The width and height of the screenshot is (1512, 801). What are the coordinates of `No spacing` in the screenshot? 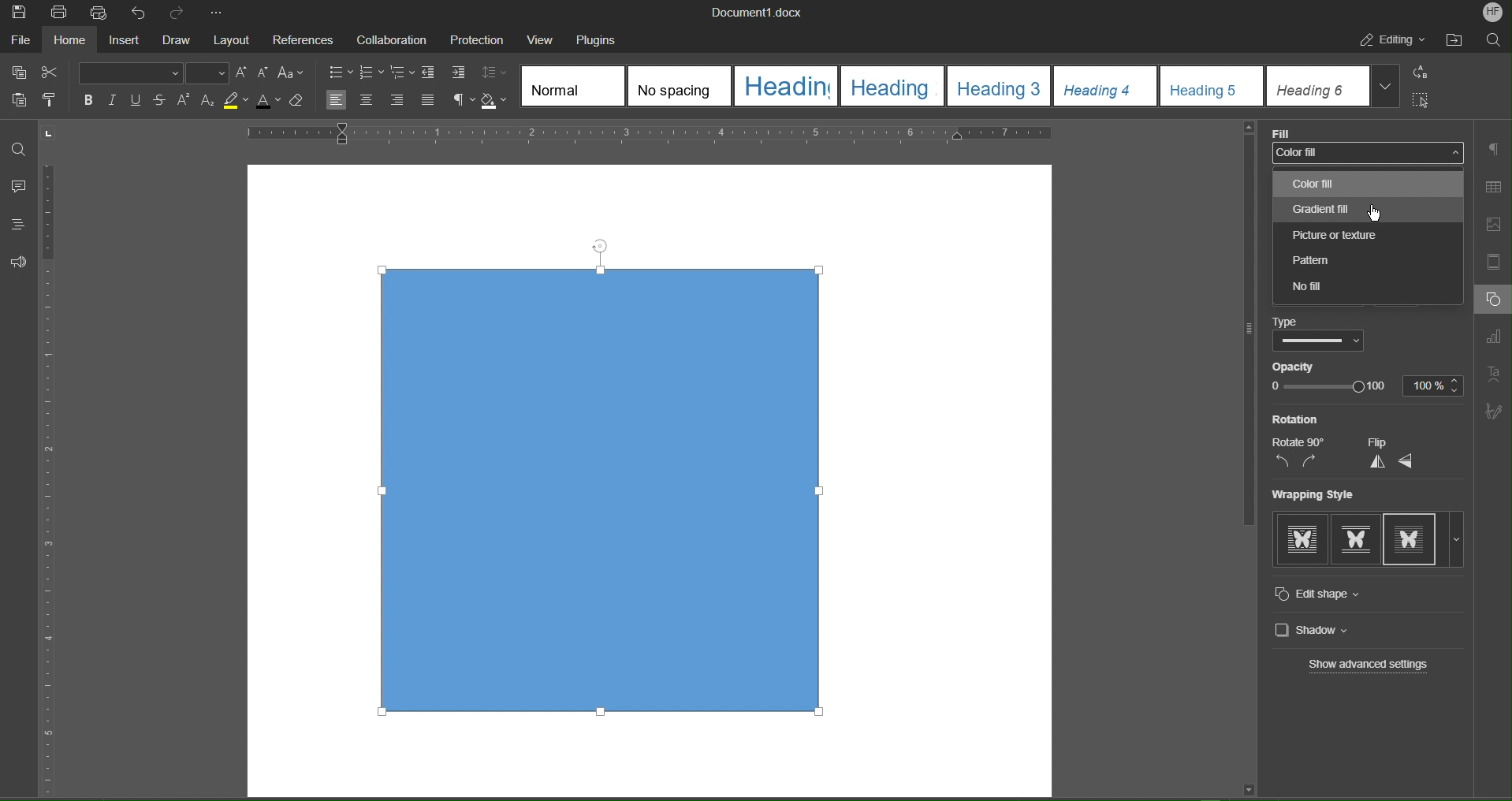 It's located at (678, 85).